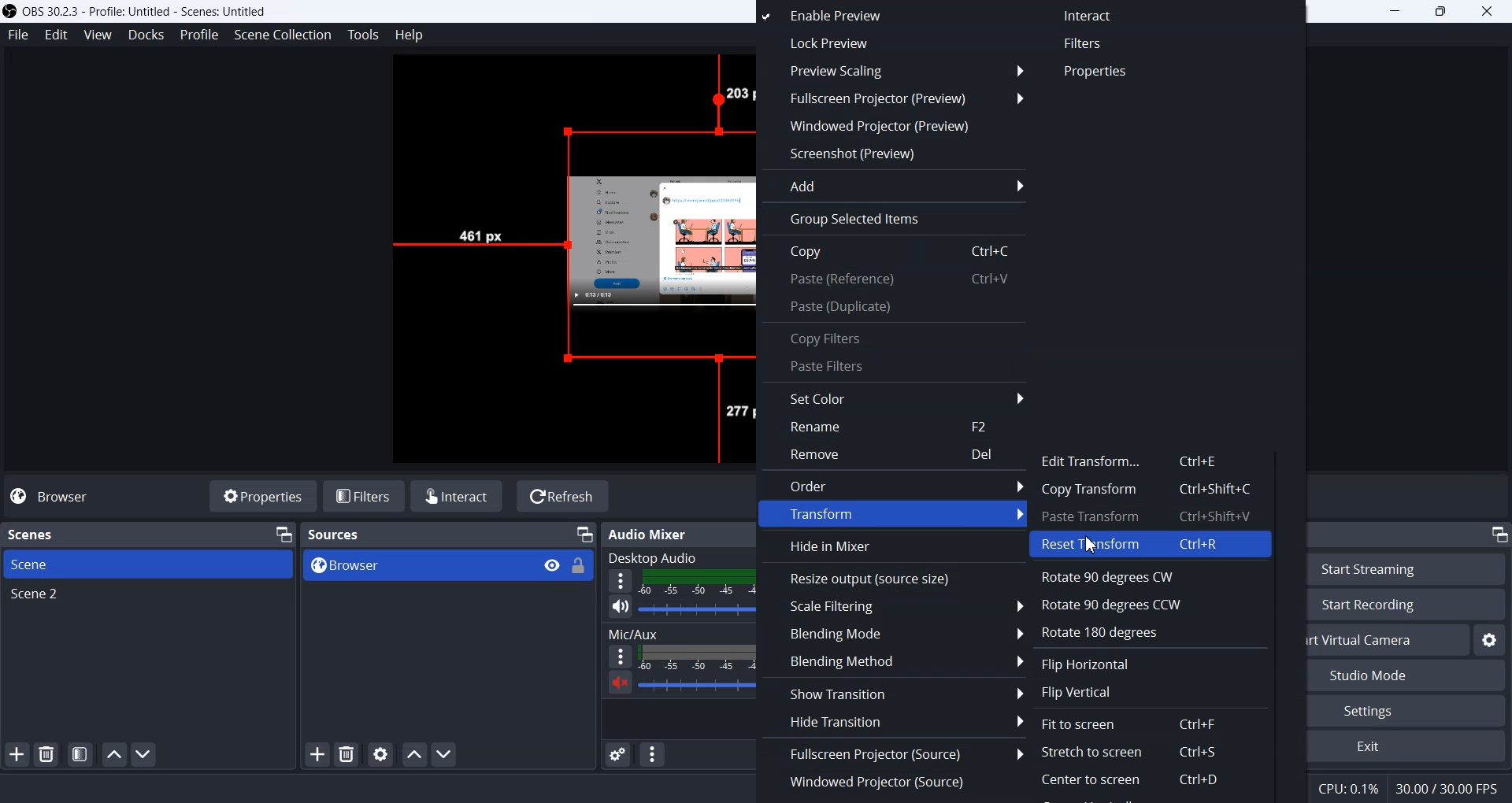 This screenshot has width=1512, height=803. I want to click on Properties, so click(263, 497).